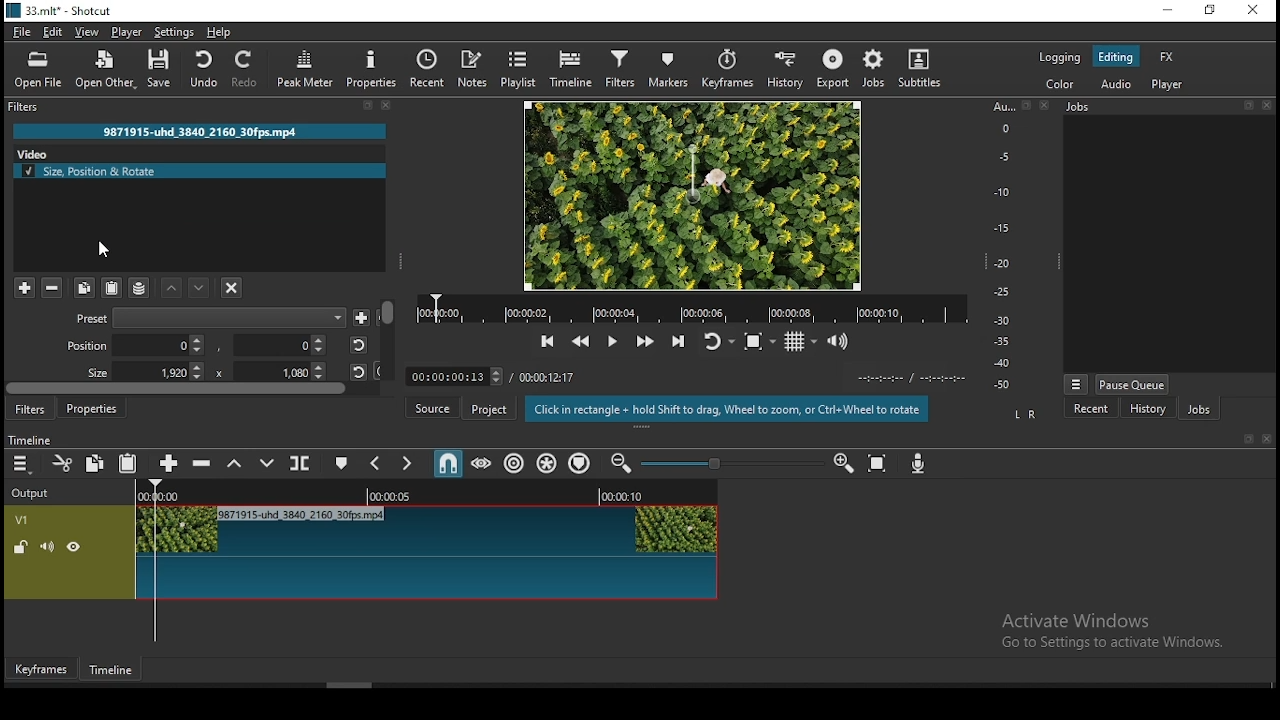 The height and width of the screenshot is (720, 1280). Describe the element at coordinates (92, 408) in the screenshot. I see `properties` at that location.